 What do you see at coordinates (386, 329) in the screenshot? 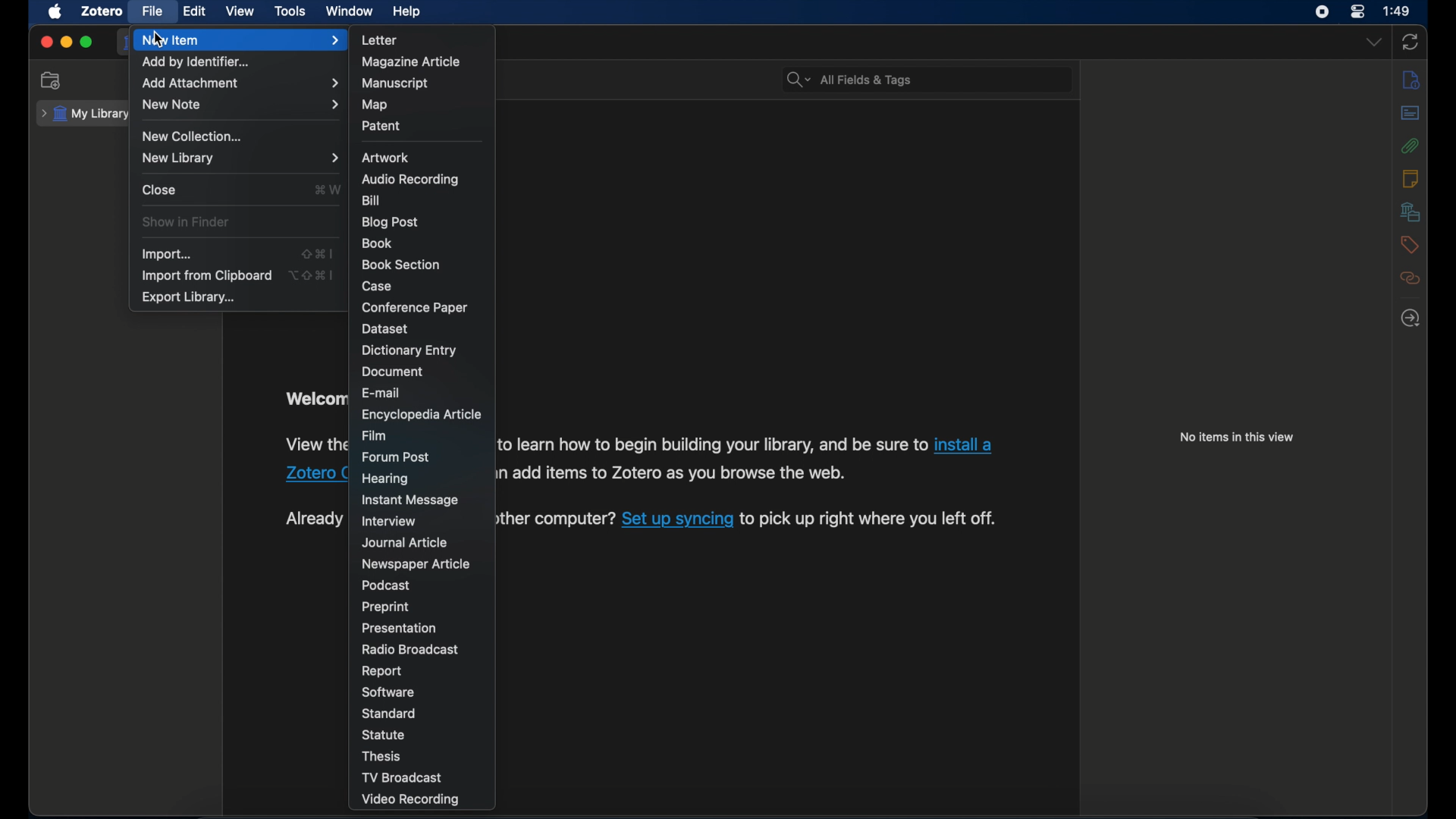
I see `dataset` at bounding box center [386, 329].